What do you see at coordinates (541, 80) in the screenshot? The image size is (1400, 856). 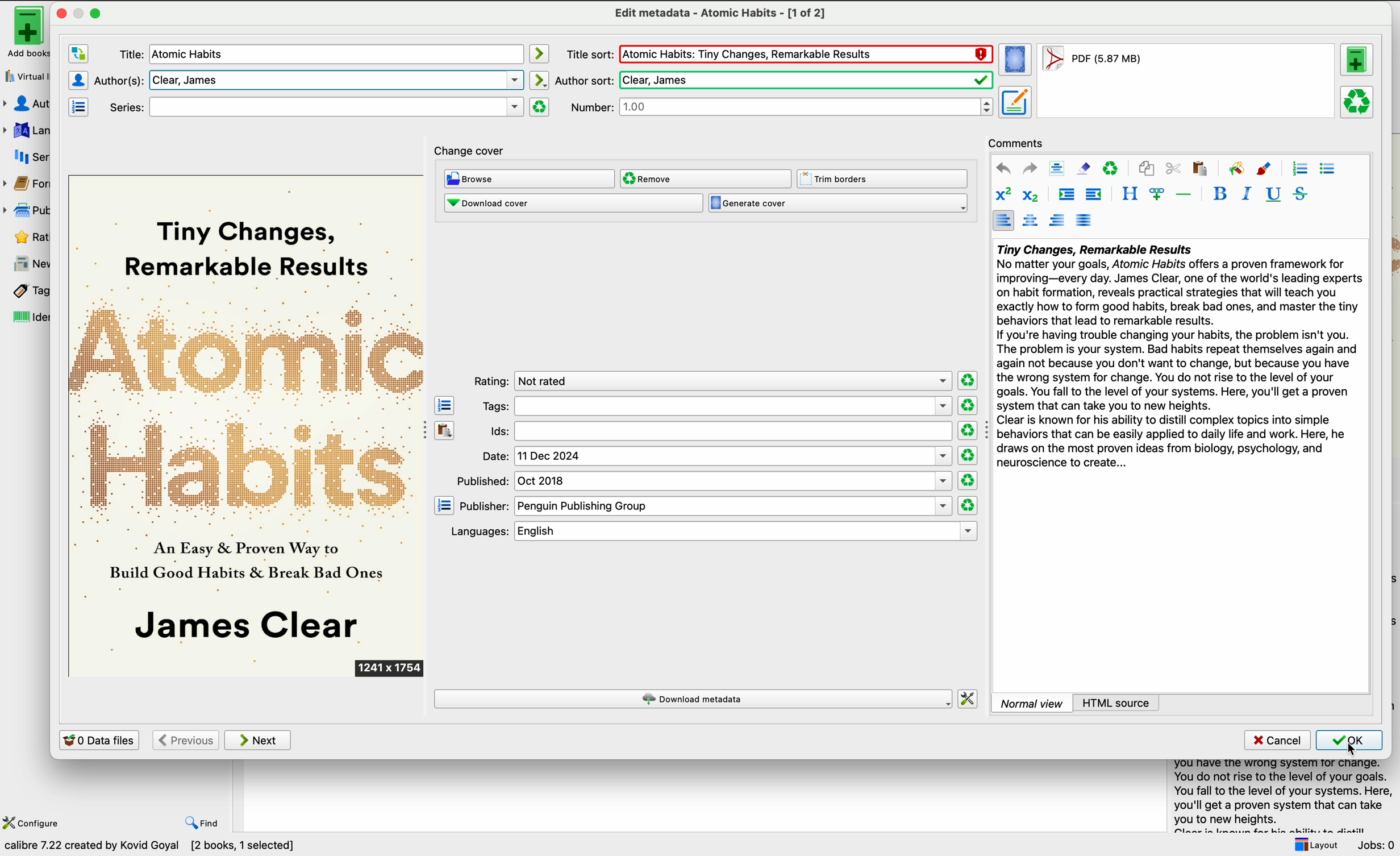 I see `automatically mode icon` at bounding box center [541, 80].